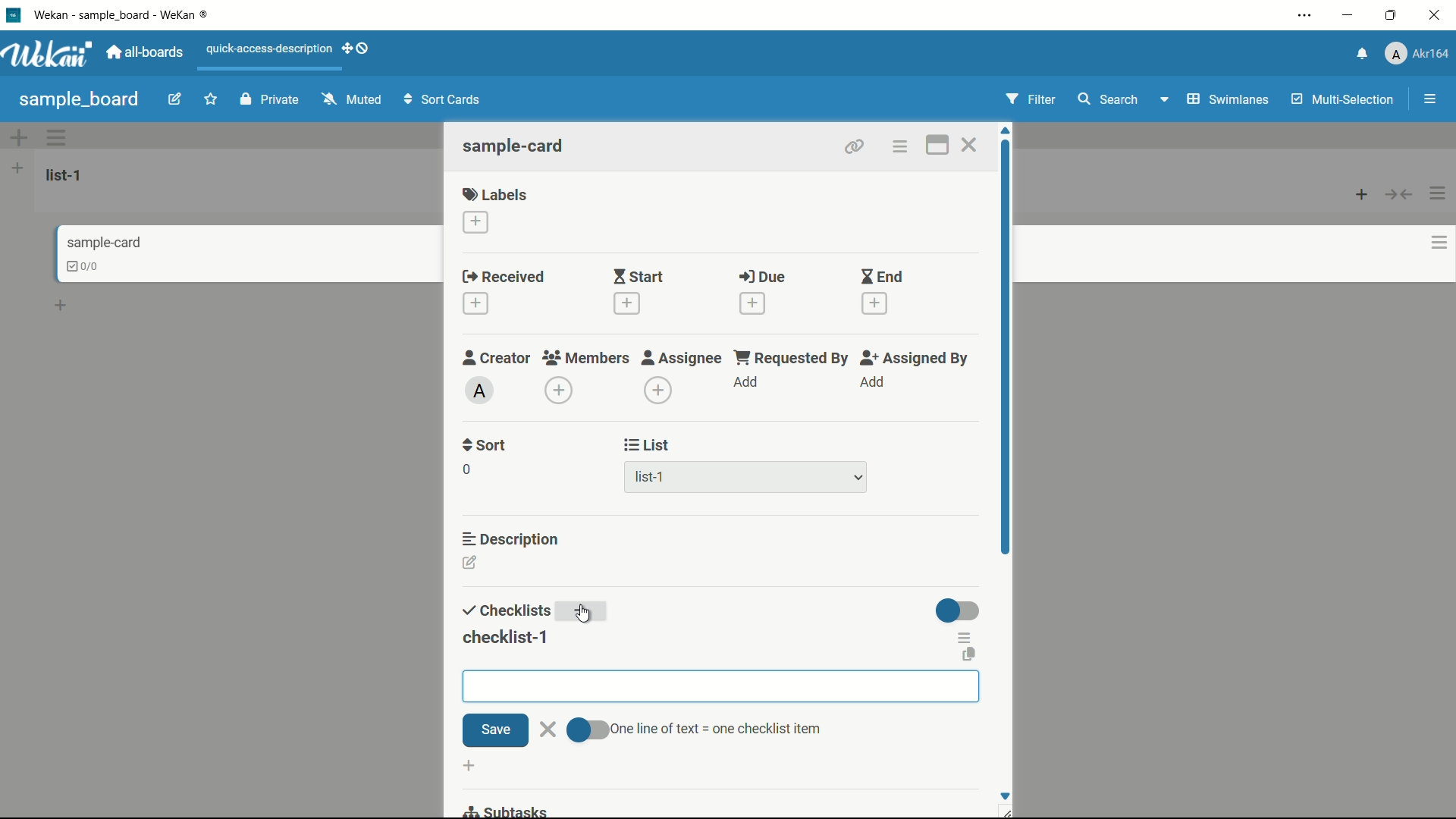 This screenshot has width=1456, height=819. I want to click on sort, so click(485, 445).